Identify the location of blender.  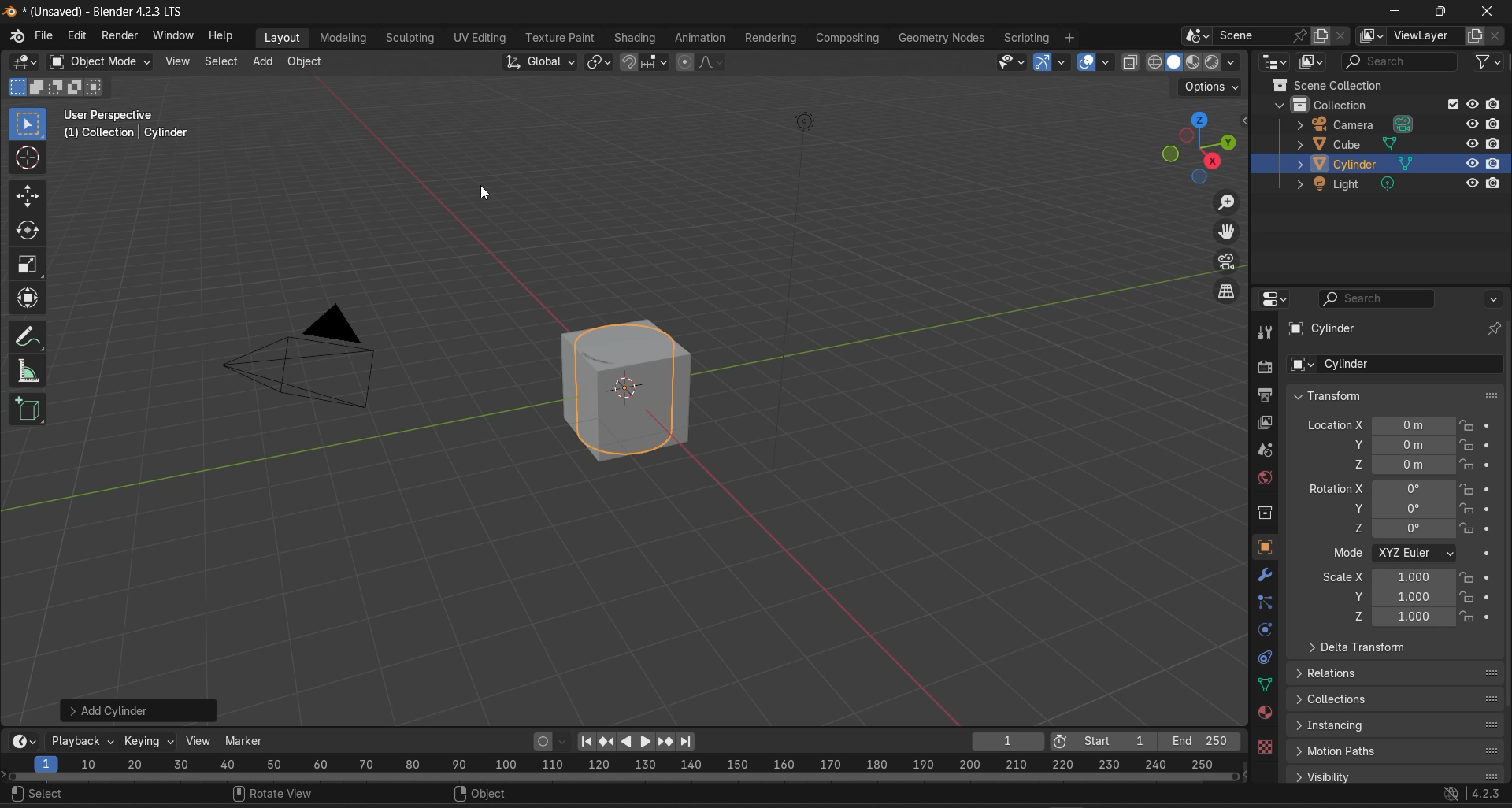
(15, 38).